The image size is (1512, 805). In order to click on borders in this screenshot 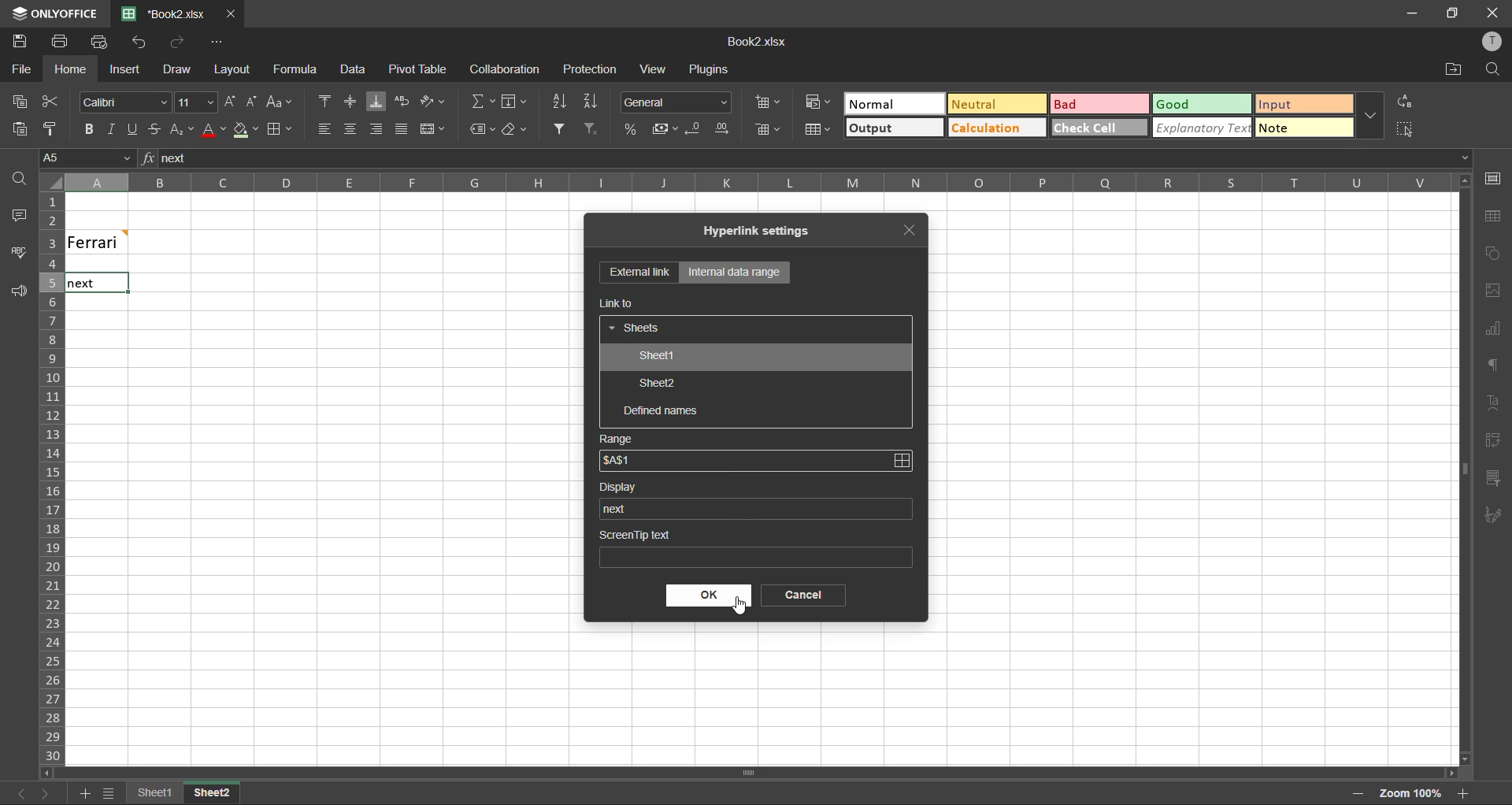, I will do `click(279, 130)`.